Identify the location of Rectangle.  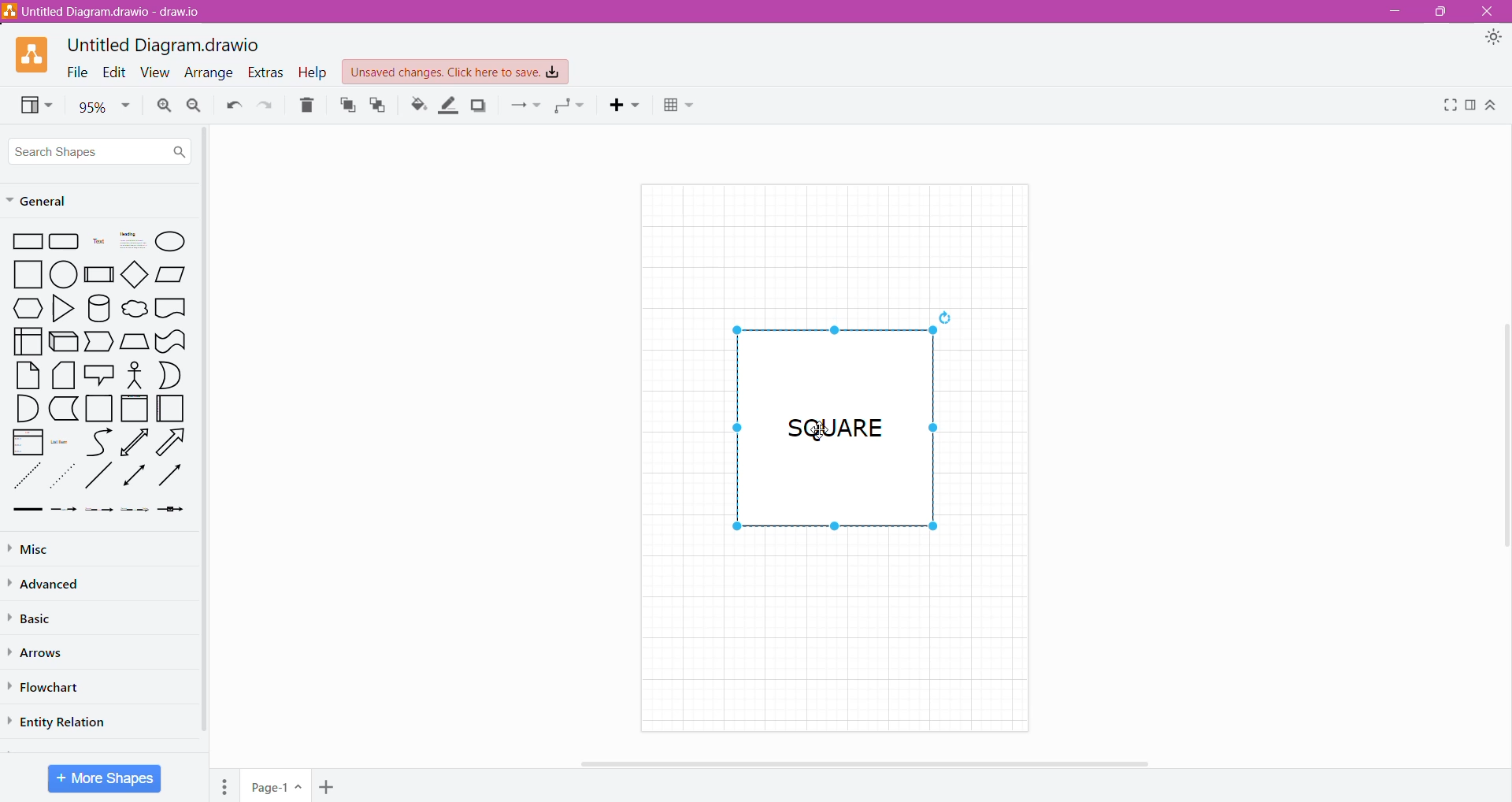
(26, 240).